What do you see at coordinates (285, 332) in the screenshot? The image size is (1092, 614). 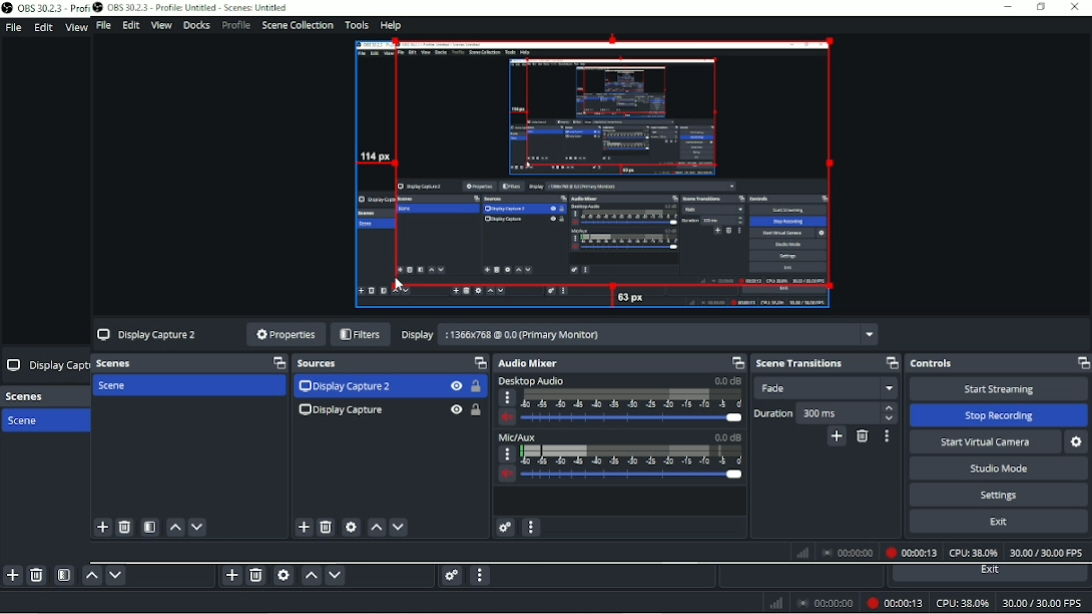 I see `Properties` at bounding box center [285, 332].